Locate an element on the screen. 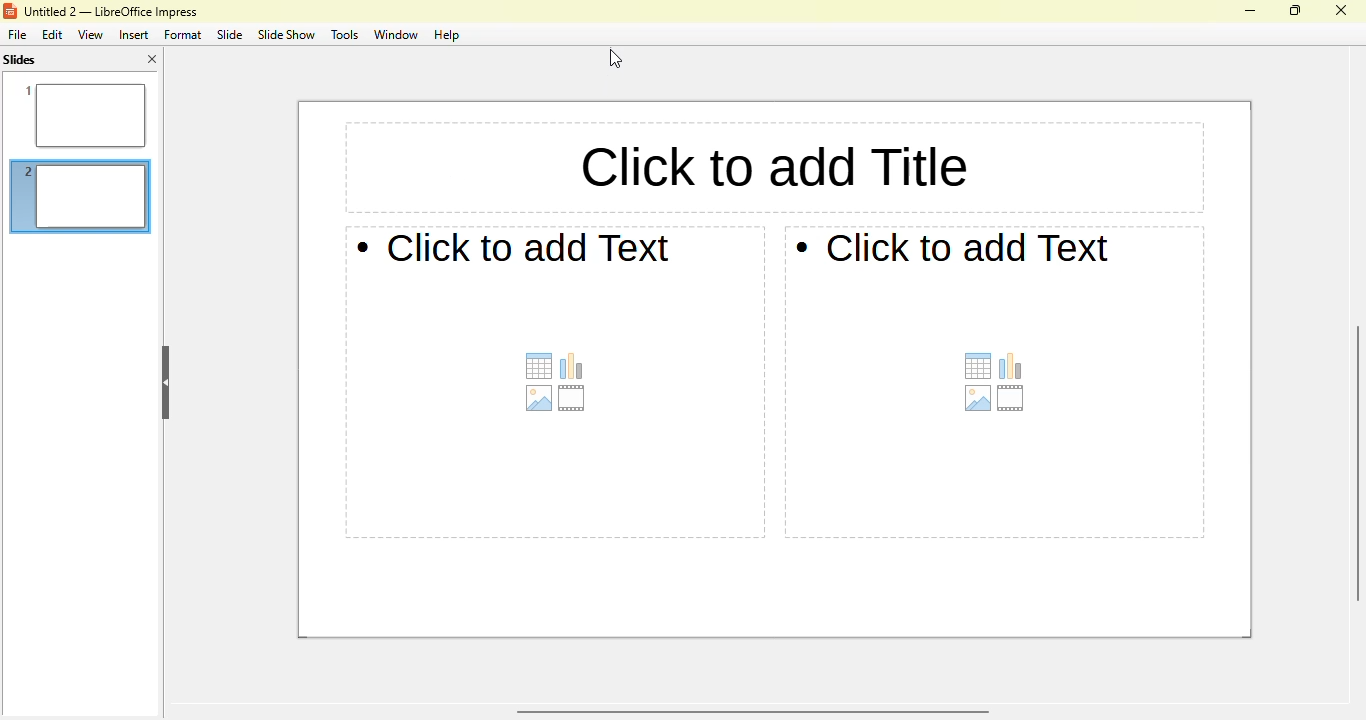 This screenshot has height=720, width=1366. insert table is located at coordinates (540, 366).